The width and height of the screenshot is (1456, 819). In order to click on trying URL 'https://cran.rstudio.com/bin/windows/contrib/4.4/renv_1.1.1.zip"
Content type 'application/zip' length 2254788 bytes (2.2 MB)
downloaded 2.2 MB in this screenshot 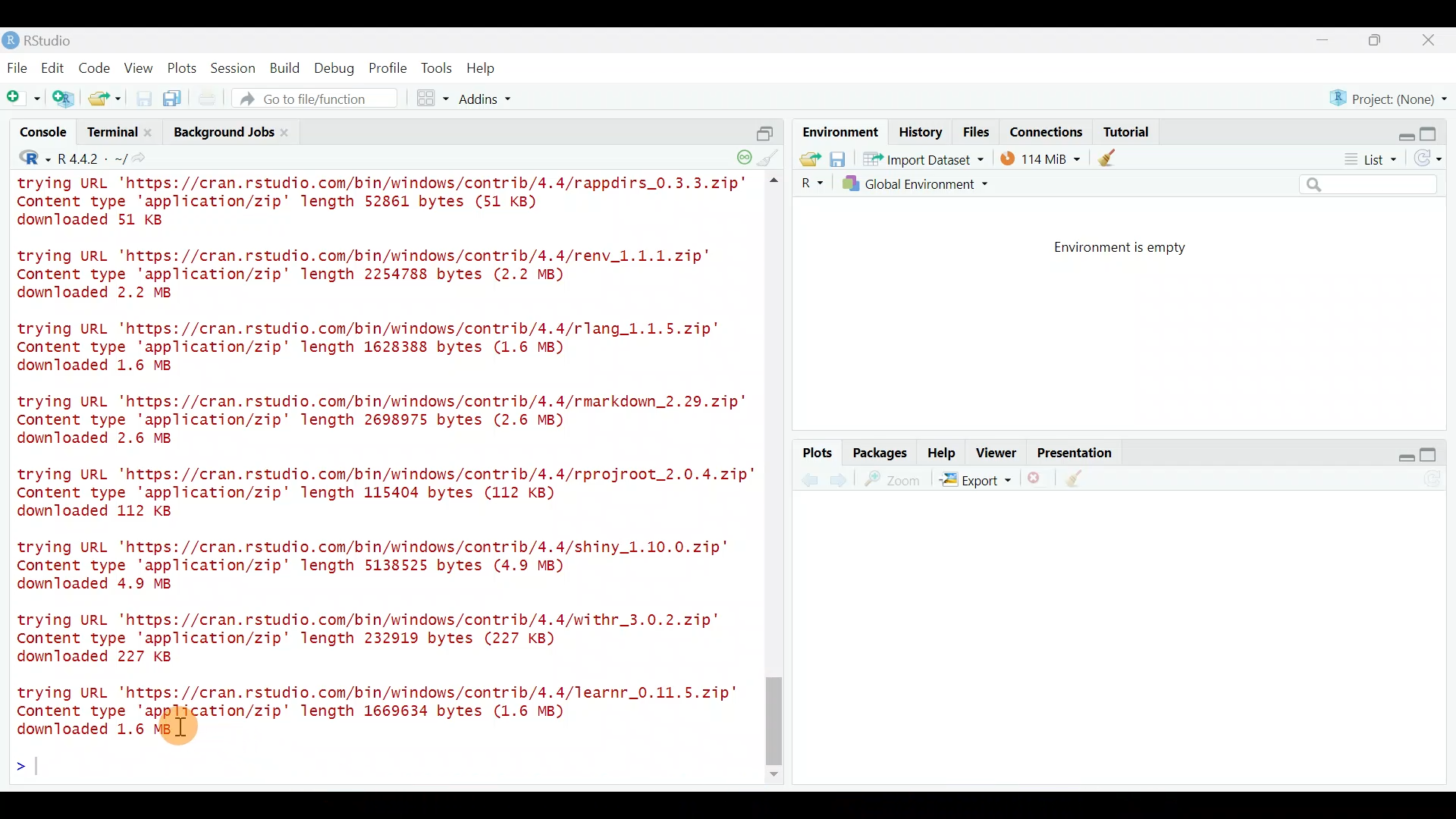, I will do `click(383, 275)`.